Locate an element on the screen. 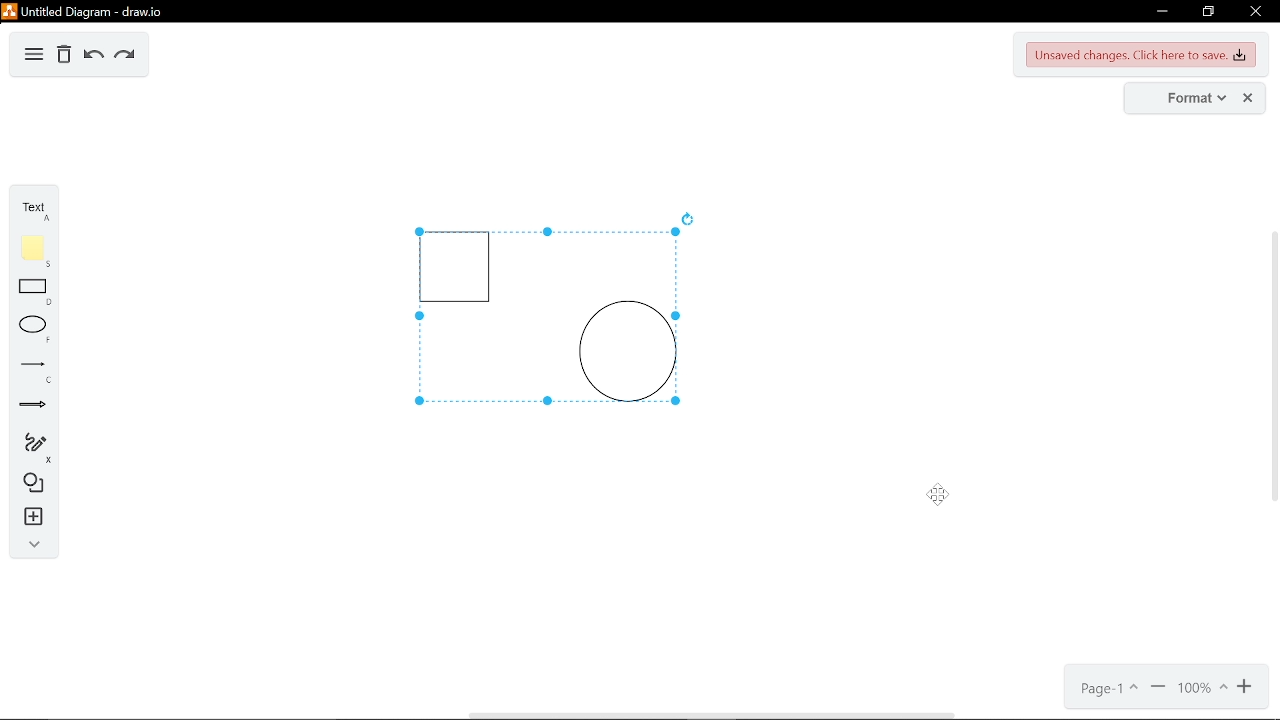  rotate diagram is located at coordinates (690, 219).